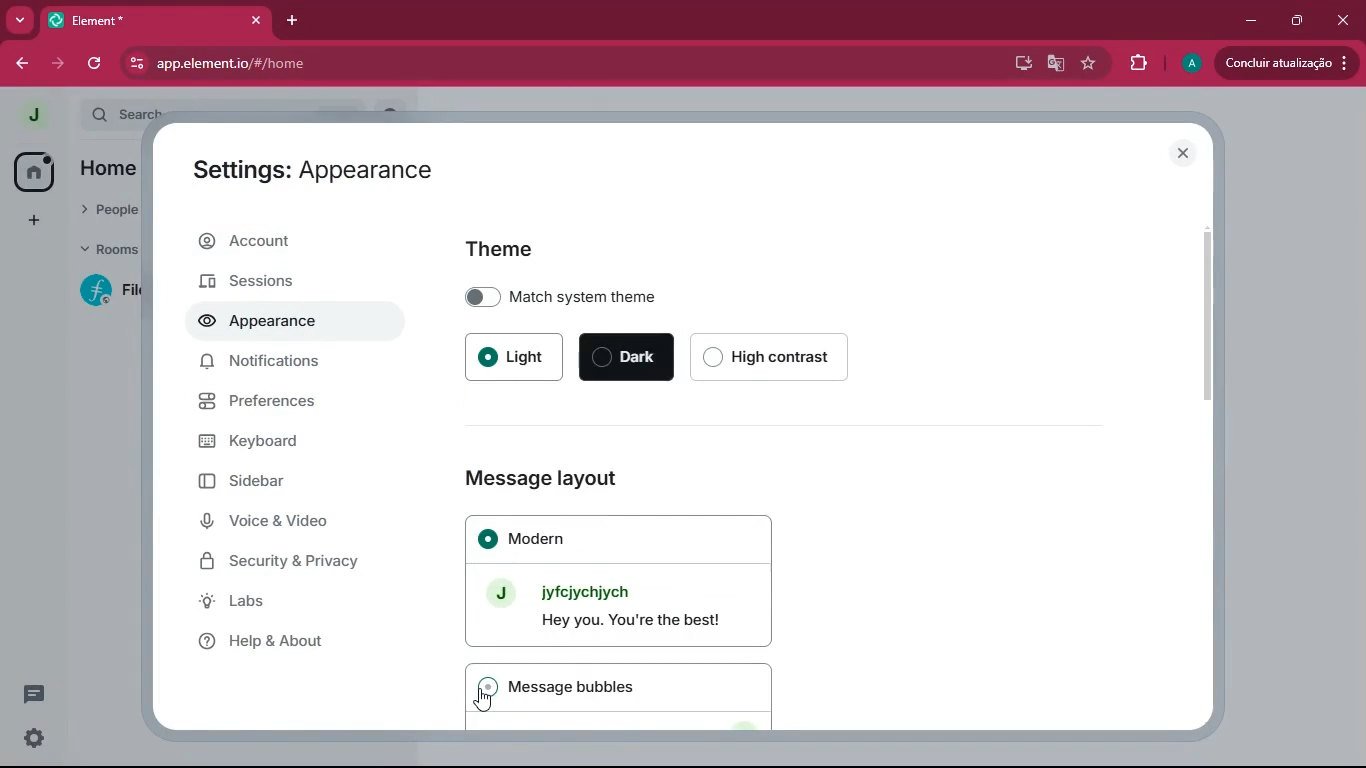 The width and height of the screenshot is (1366, 768). Describe the element at coordinates (267, 361) in the screenshot. I see `Notifications` at that location.